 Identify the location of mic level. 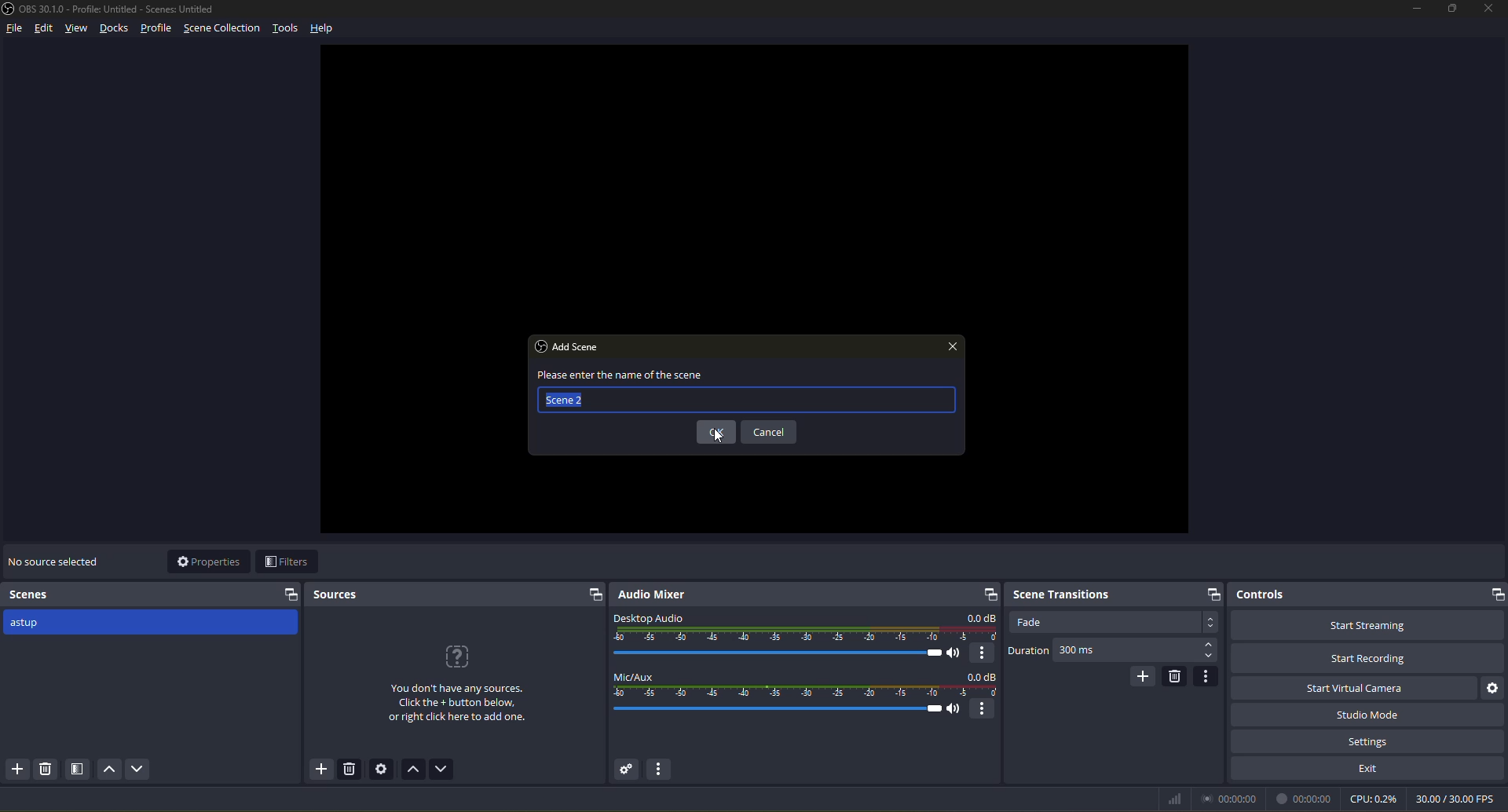
(807, 691).